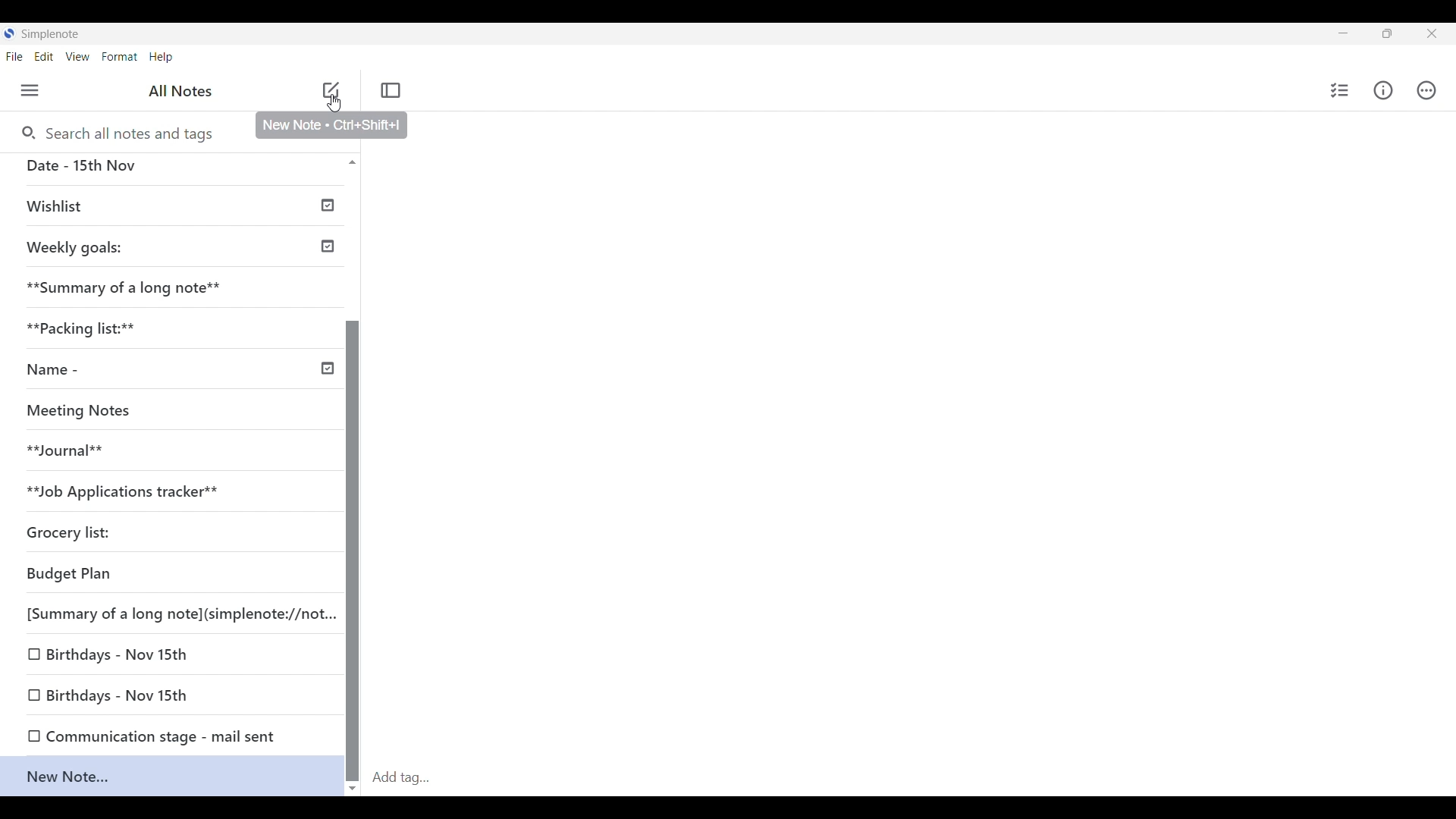 The height and width of the screenshot is (819, 1456). Describe the element at coordinates (911, 778) in the screenshot. I see `Click to add tag` at that location.